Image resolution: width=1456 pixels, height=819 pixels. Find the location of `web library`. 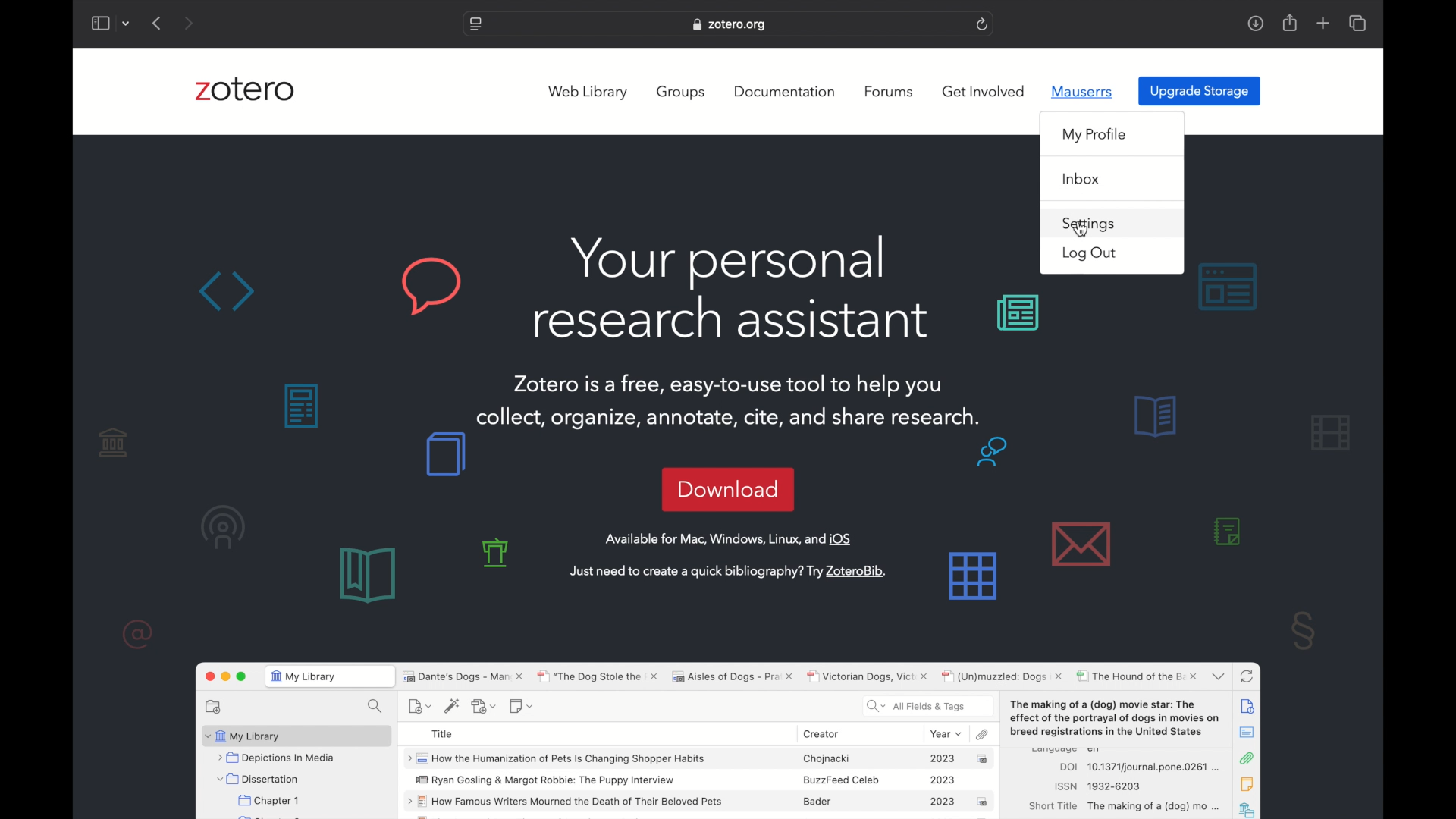

web library is located at coordinates (590, 93).